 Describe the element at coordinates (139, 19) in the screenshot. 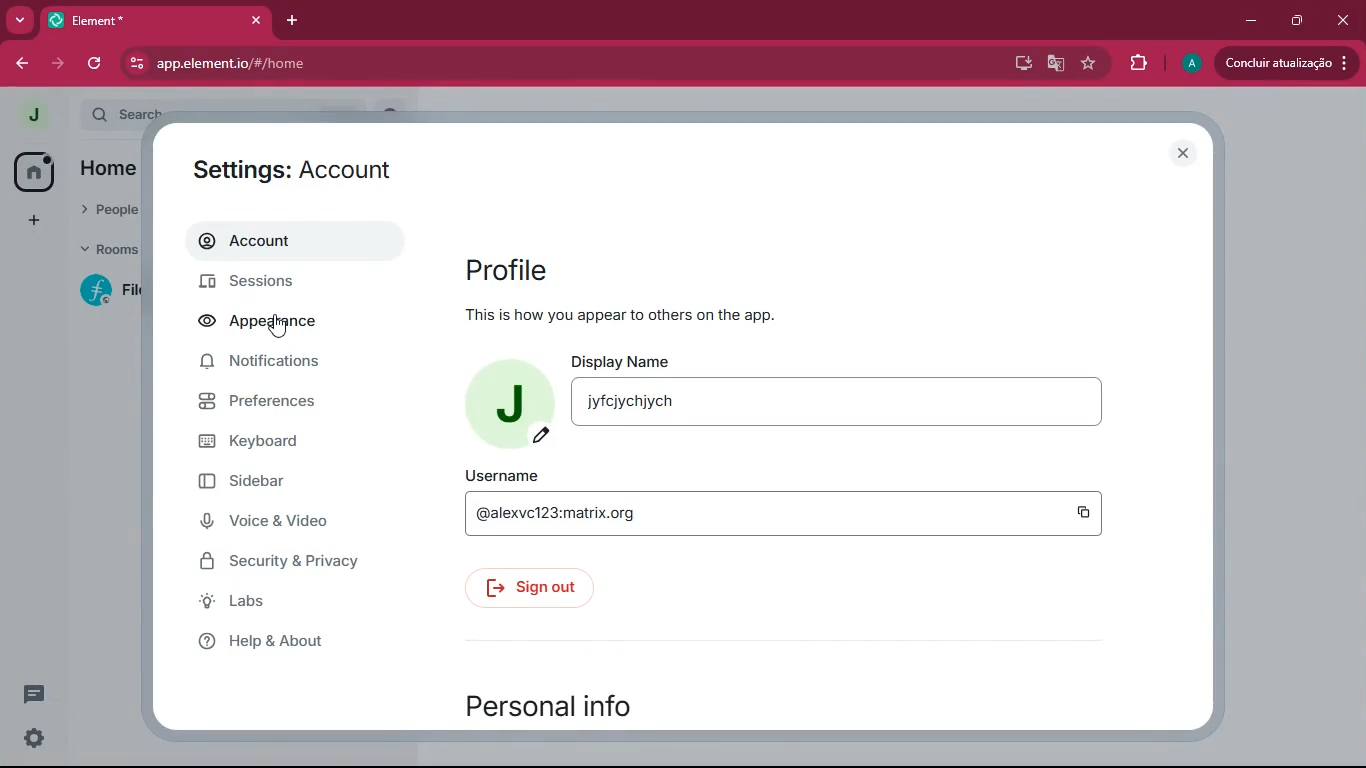

I see `Element*` at that location.